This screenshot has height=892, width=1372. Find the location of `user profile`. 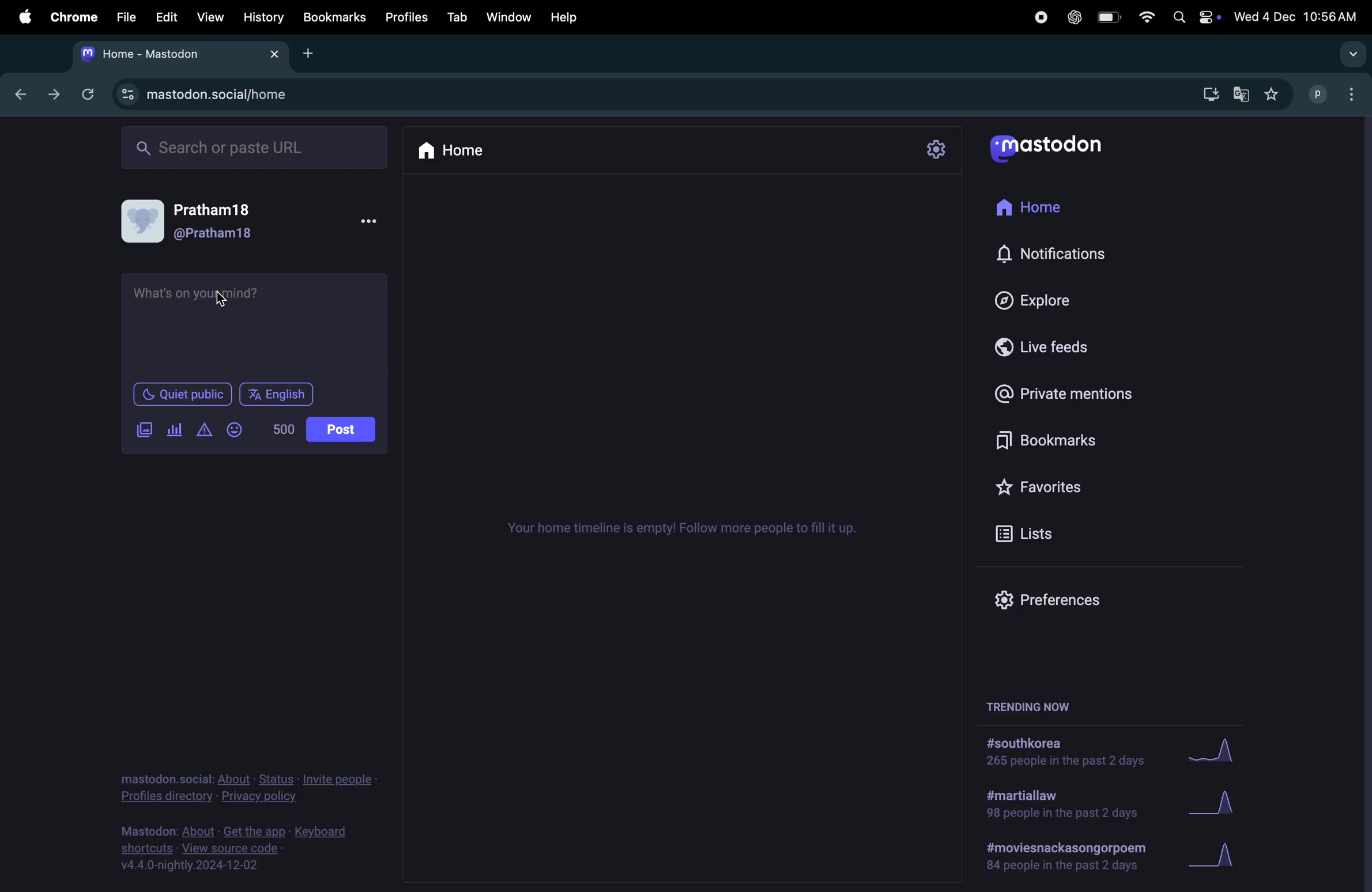

user profile is located at coordinates (1336, 92).